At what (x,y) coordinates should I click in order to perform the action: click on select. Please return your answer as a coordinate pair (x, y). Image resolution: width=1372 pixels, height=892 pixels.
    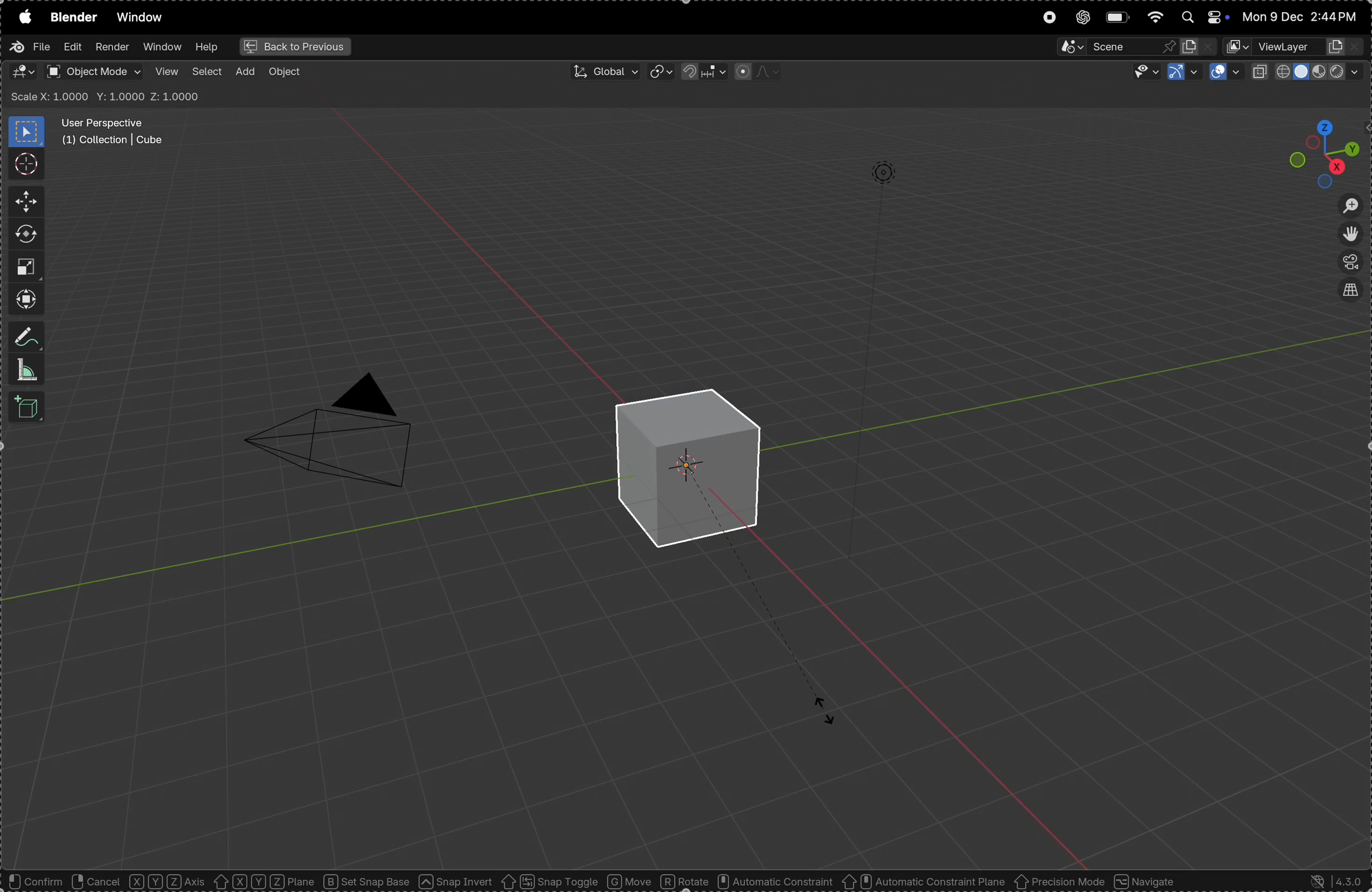
    Looking at the image, I should click on (209, 72).